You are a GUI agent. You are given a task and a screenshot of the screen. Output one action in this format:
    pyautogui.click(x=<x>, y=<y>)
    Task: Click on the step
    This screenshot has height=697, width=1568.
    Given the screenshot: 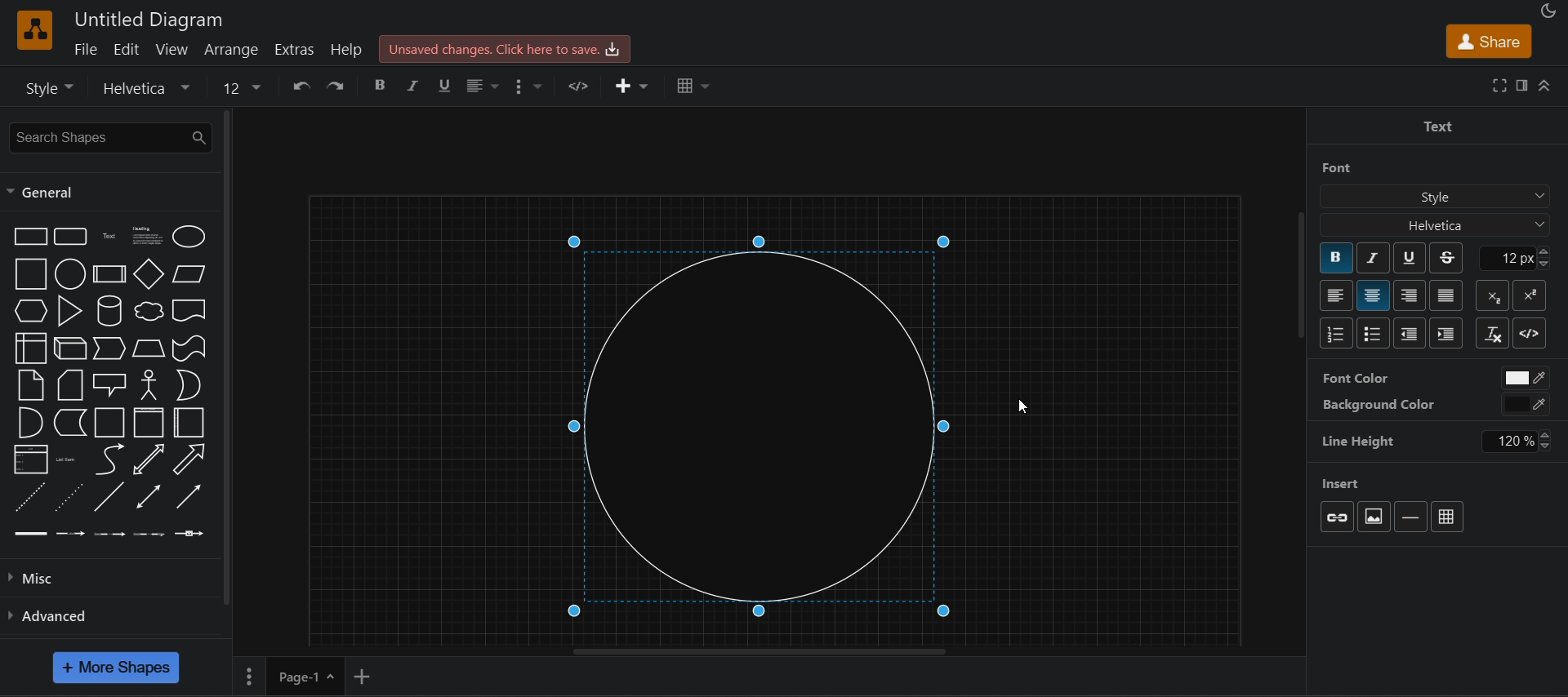 What is the action you would take?
    pyautogui.click(x=108, y=352)
    